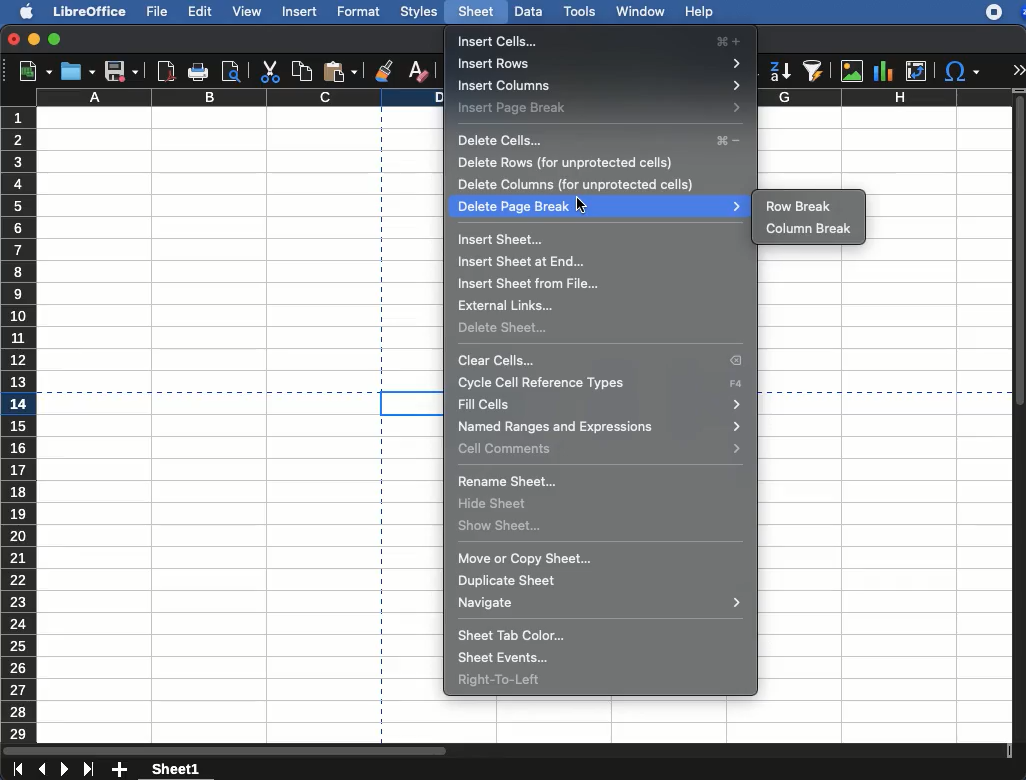 This screenshot has width=1026, height=780. I want to click on row break, so click(803, 206).